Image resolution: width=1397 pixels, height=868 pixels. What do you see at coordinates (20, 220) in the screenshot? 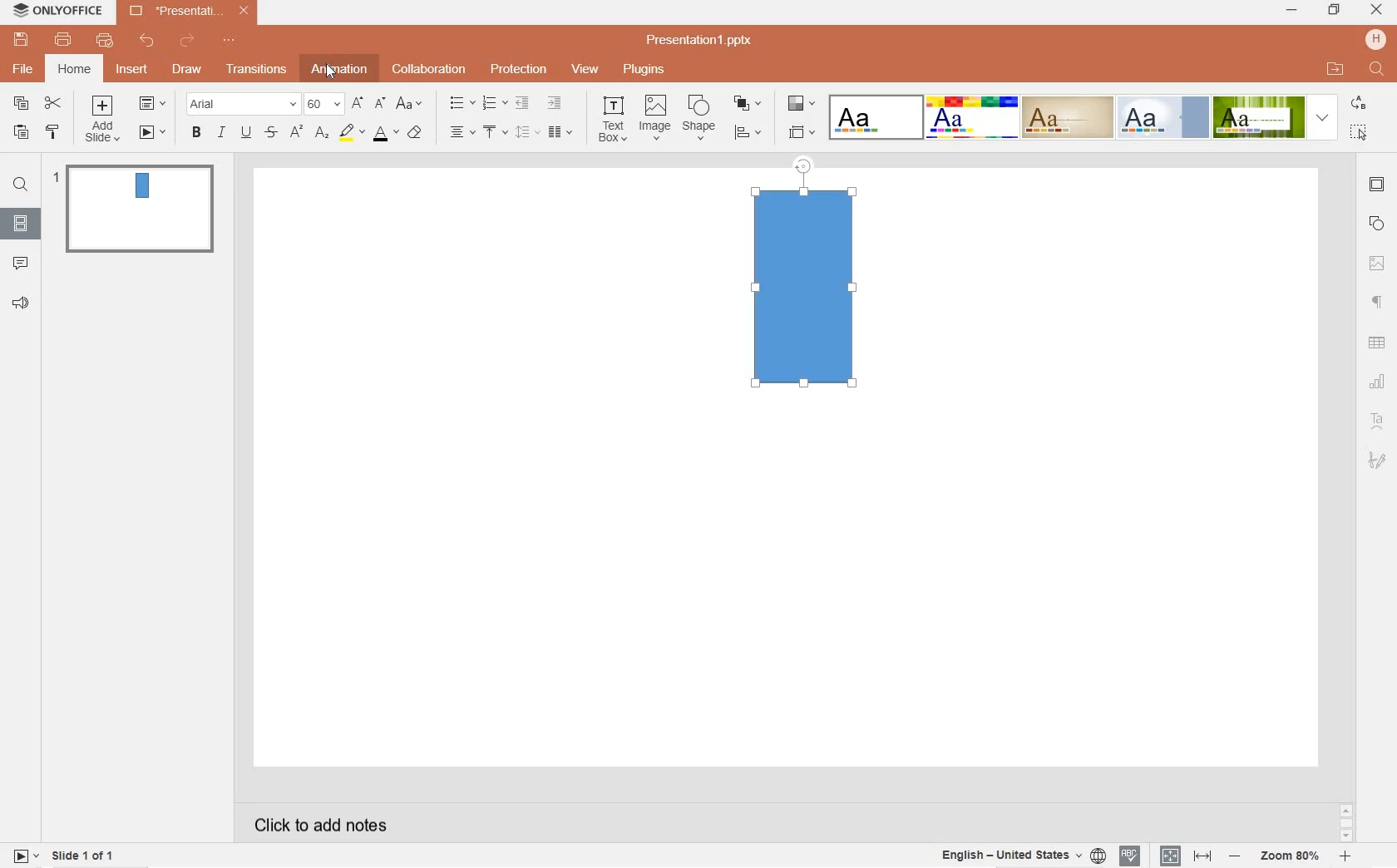
I see `slides` at bounding box center [20, 220].